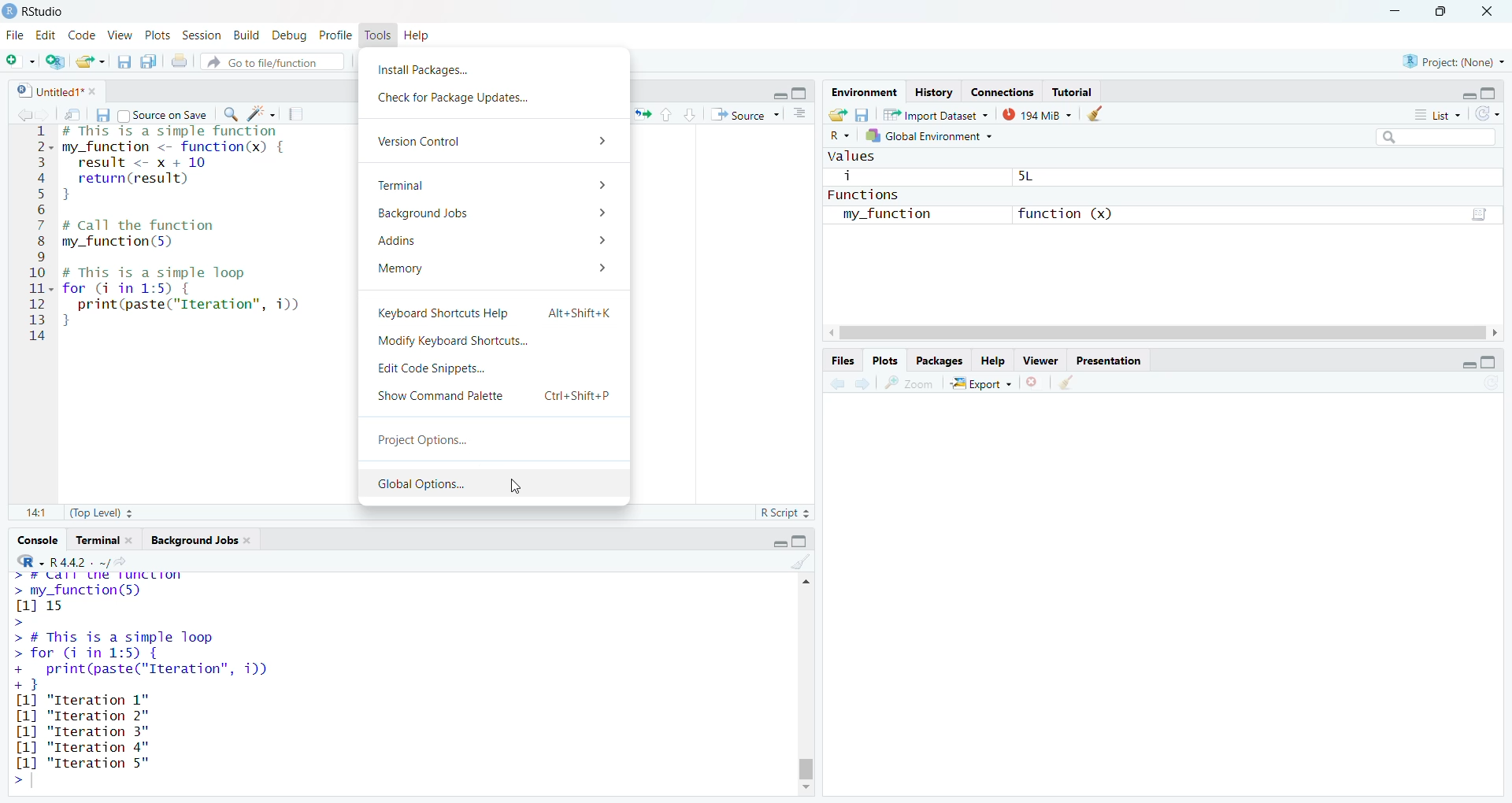 The height and width of the screenshot is (803, 1512). I want to click on search field, so click(1432, 136).